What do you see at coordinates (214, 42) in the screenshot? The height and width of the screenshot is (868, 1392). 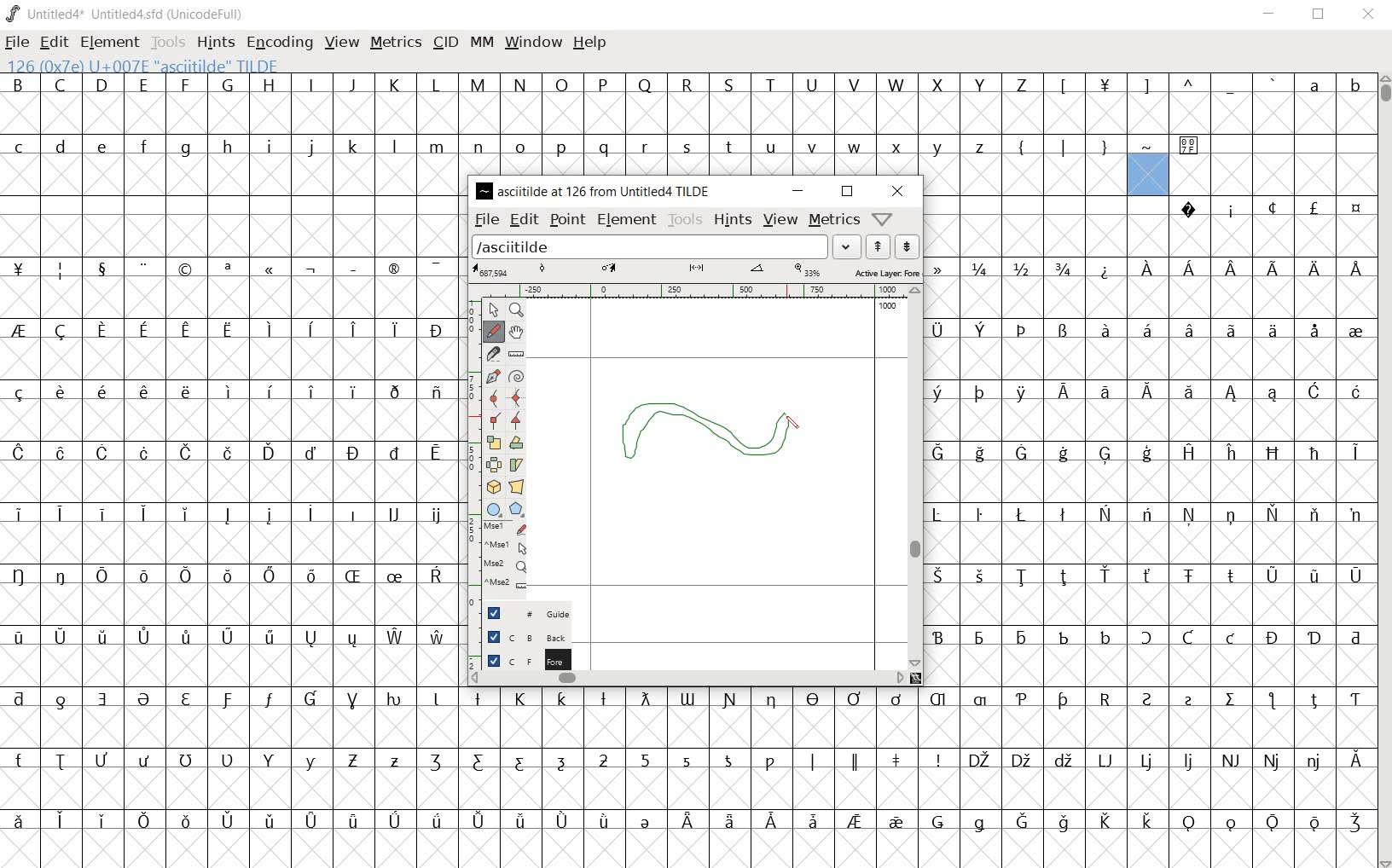 I see `HINTS` at bounding box center [214, 42].